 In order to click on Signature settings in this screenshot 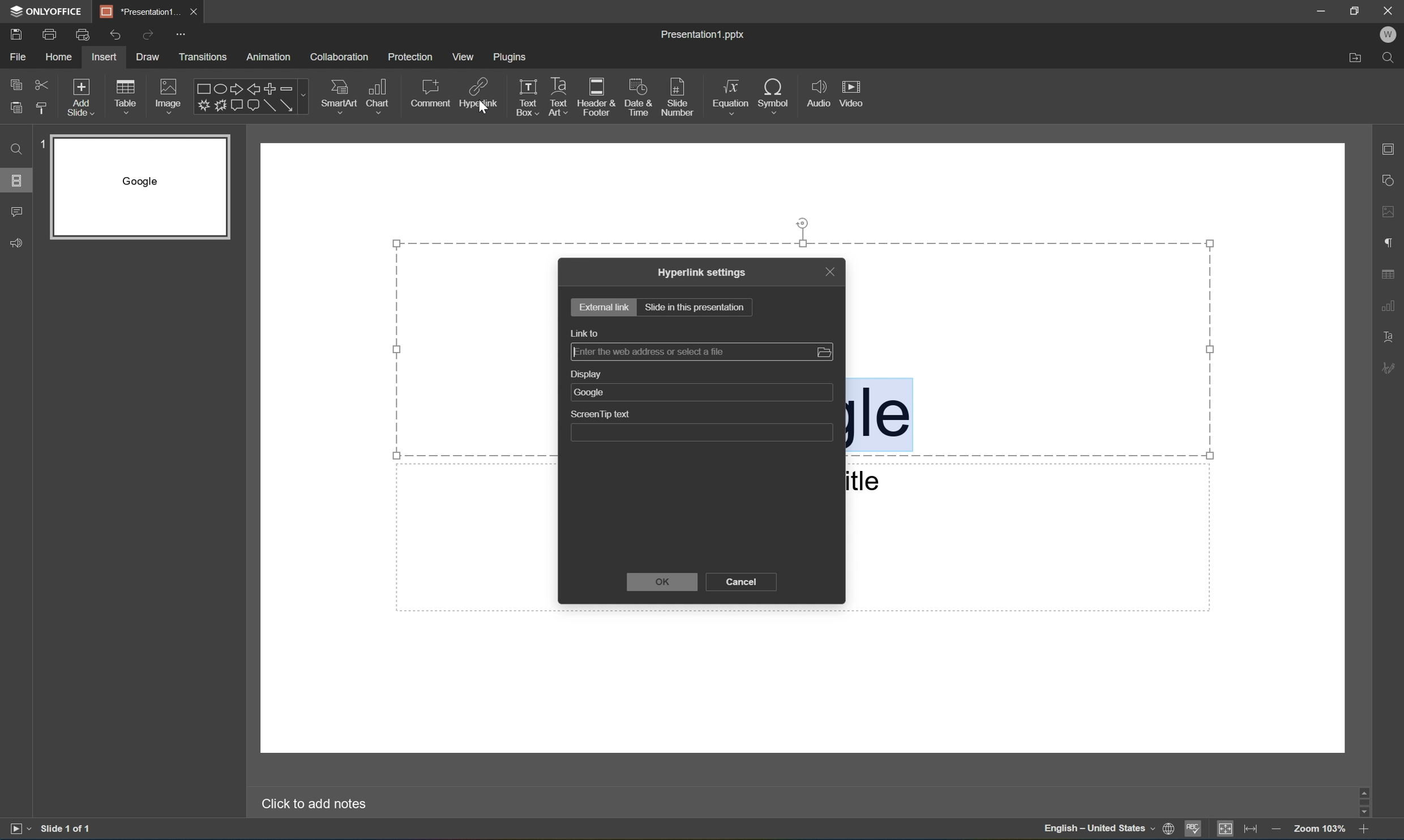, I will do `click(1388, 368)`.